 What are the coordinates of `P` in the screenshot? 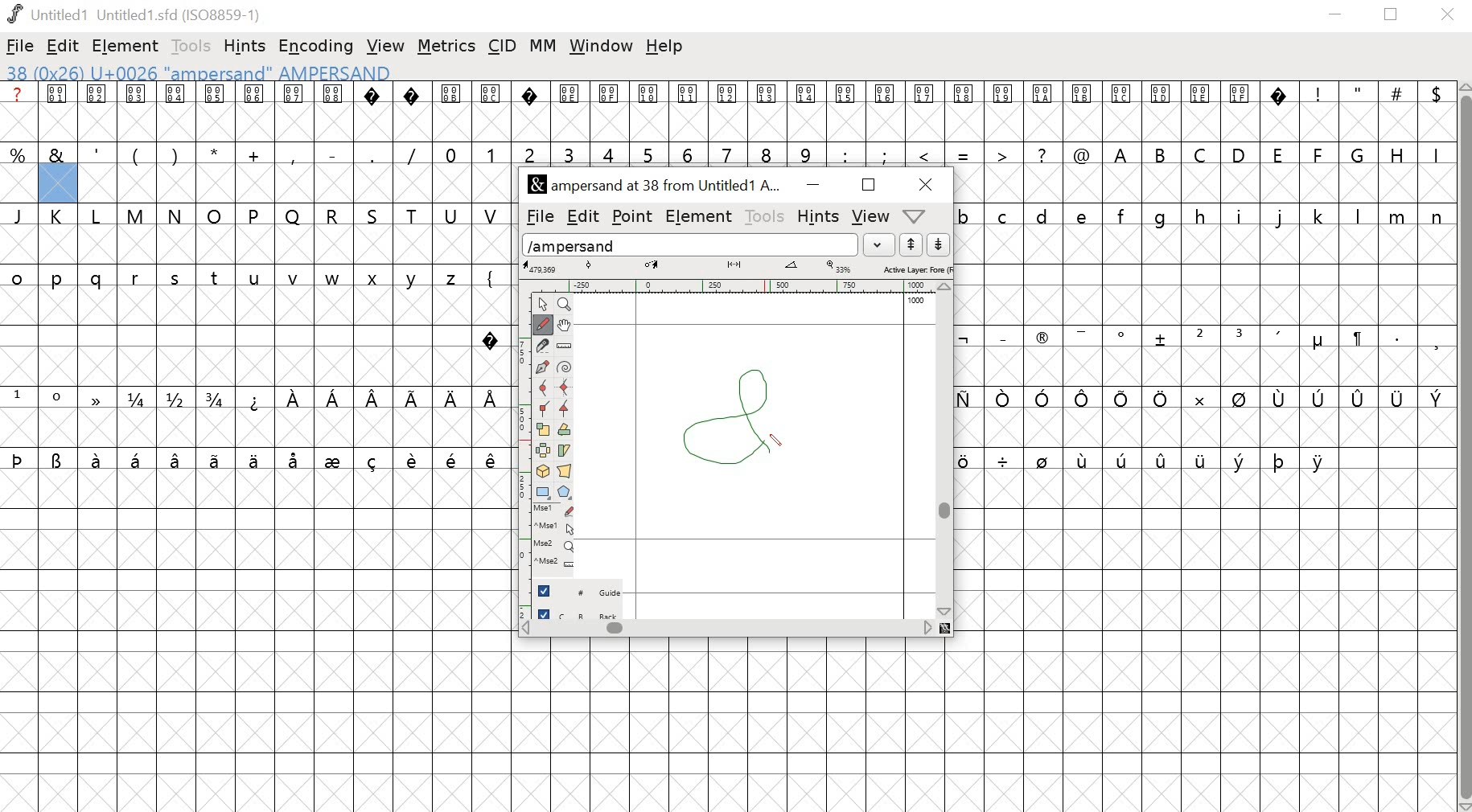 It's located at (255, 215).